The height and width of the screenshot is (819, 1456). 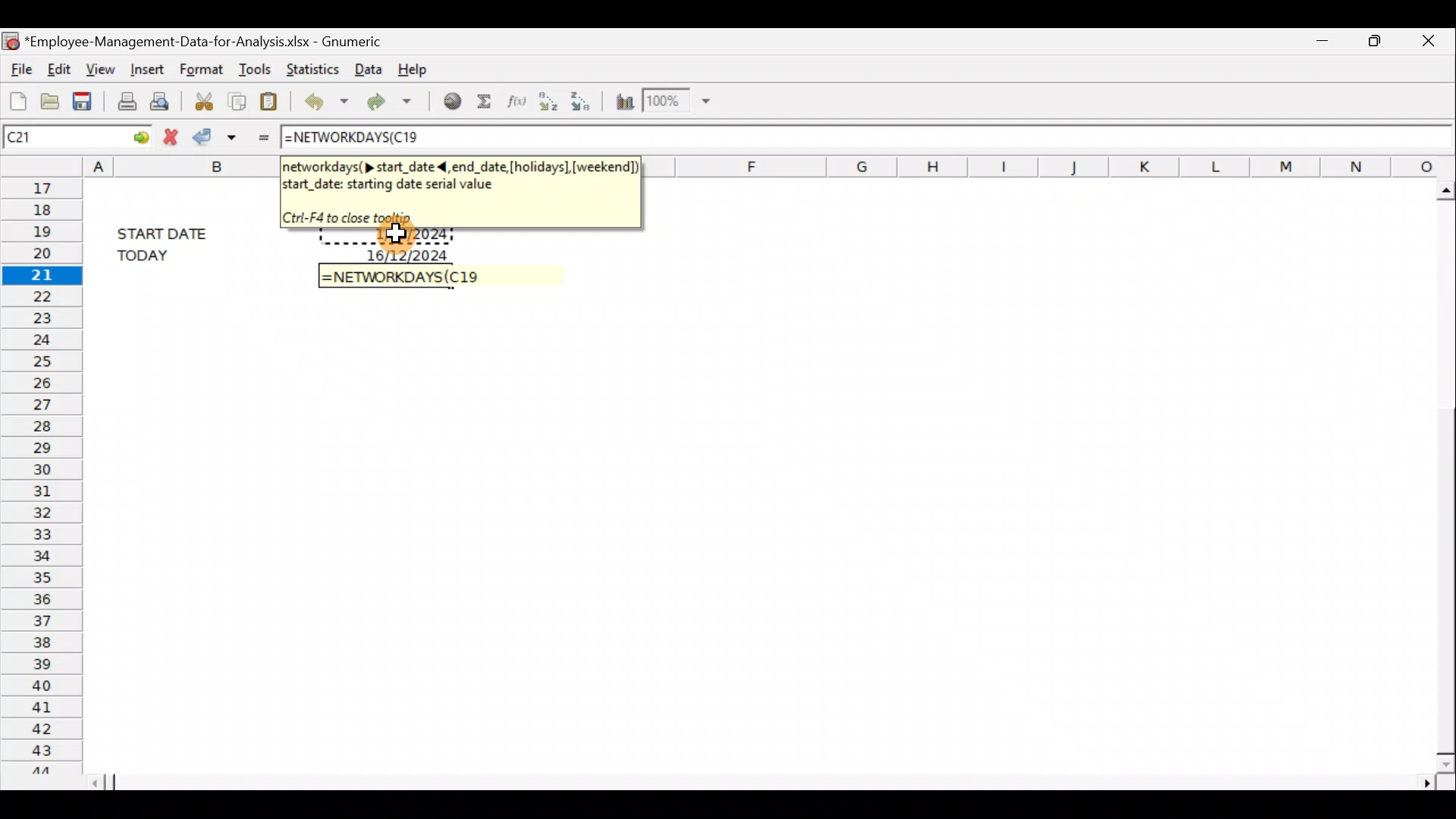 What do you see at coordinates (206, 42) in the screenshot?
I see `*Employee-Management-Data-for-Analysis.xlsx - Gnumeric` at bounding box center [206, 42].